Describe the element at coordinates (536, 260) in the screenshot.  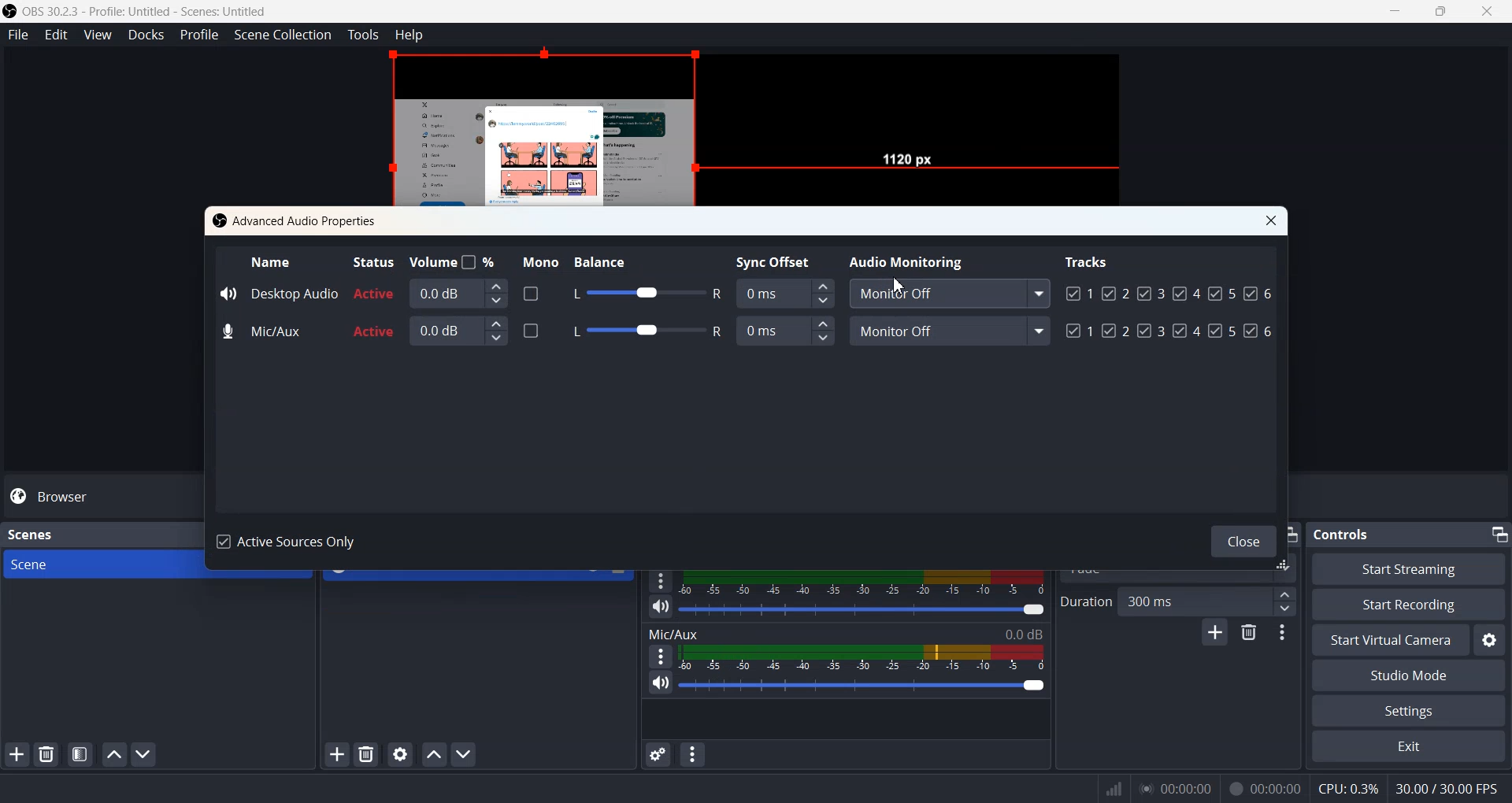
I see `Mono` at that location.